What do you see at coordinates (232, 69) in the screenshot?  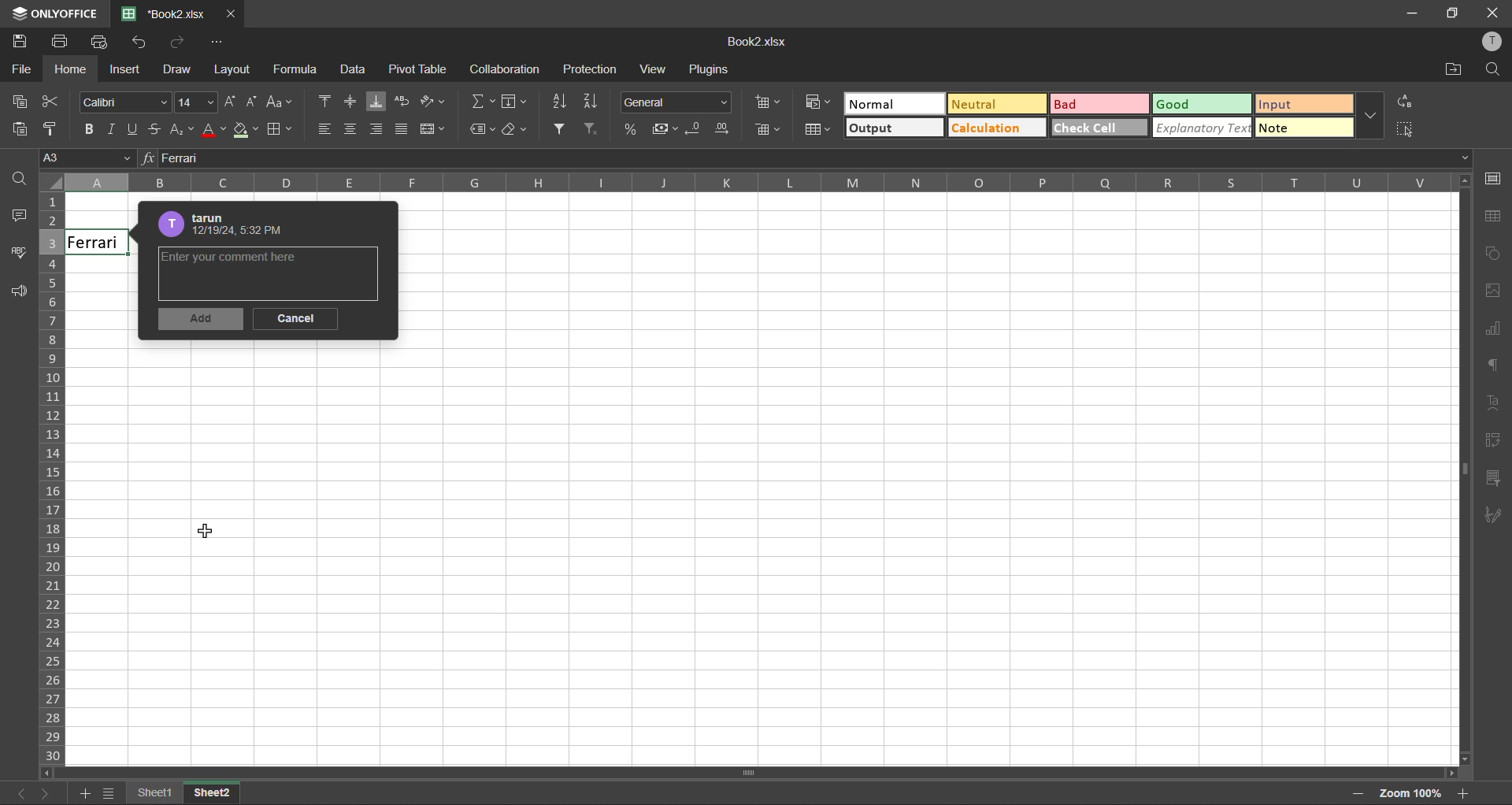 I see `layout` at bounding box center [232, 69].